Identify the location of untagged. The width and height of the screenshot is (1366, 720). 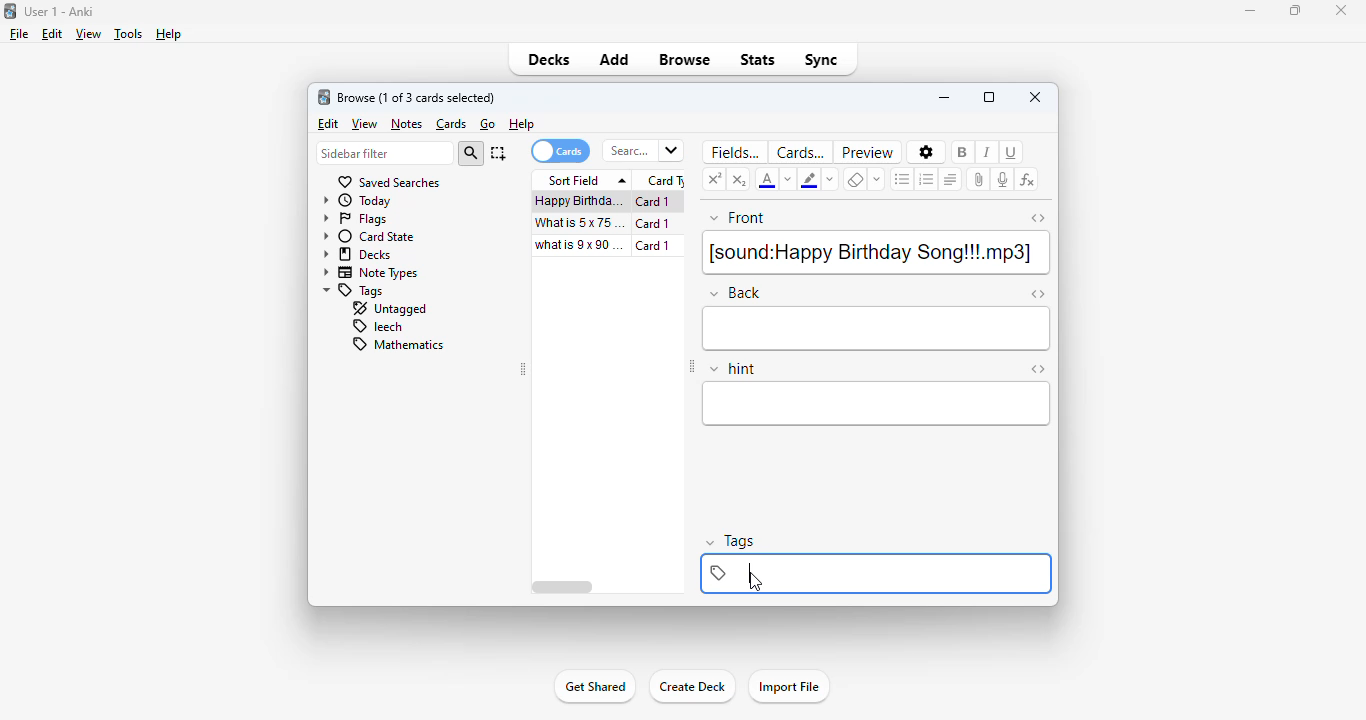
(388, 309).